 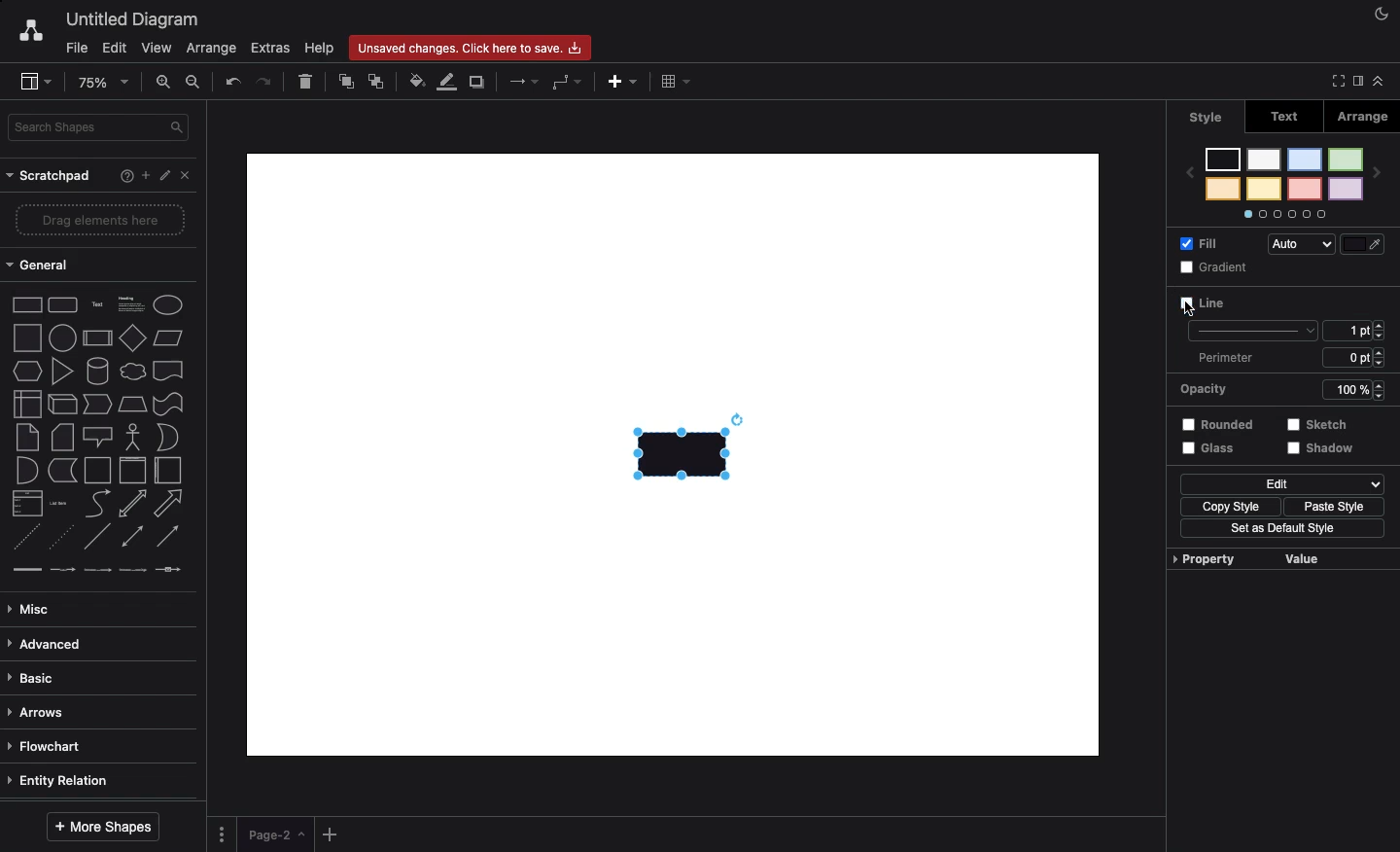 What do you see at coordinates (1378, 82) in the screenshot?
I see `Collapse` at bounding box center [1378, 82].